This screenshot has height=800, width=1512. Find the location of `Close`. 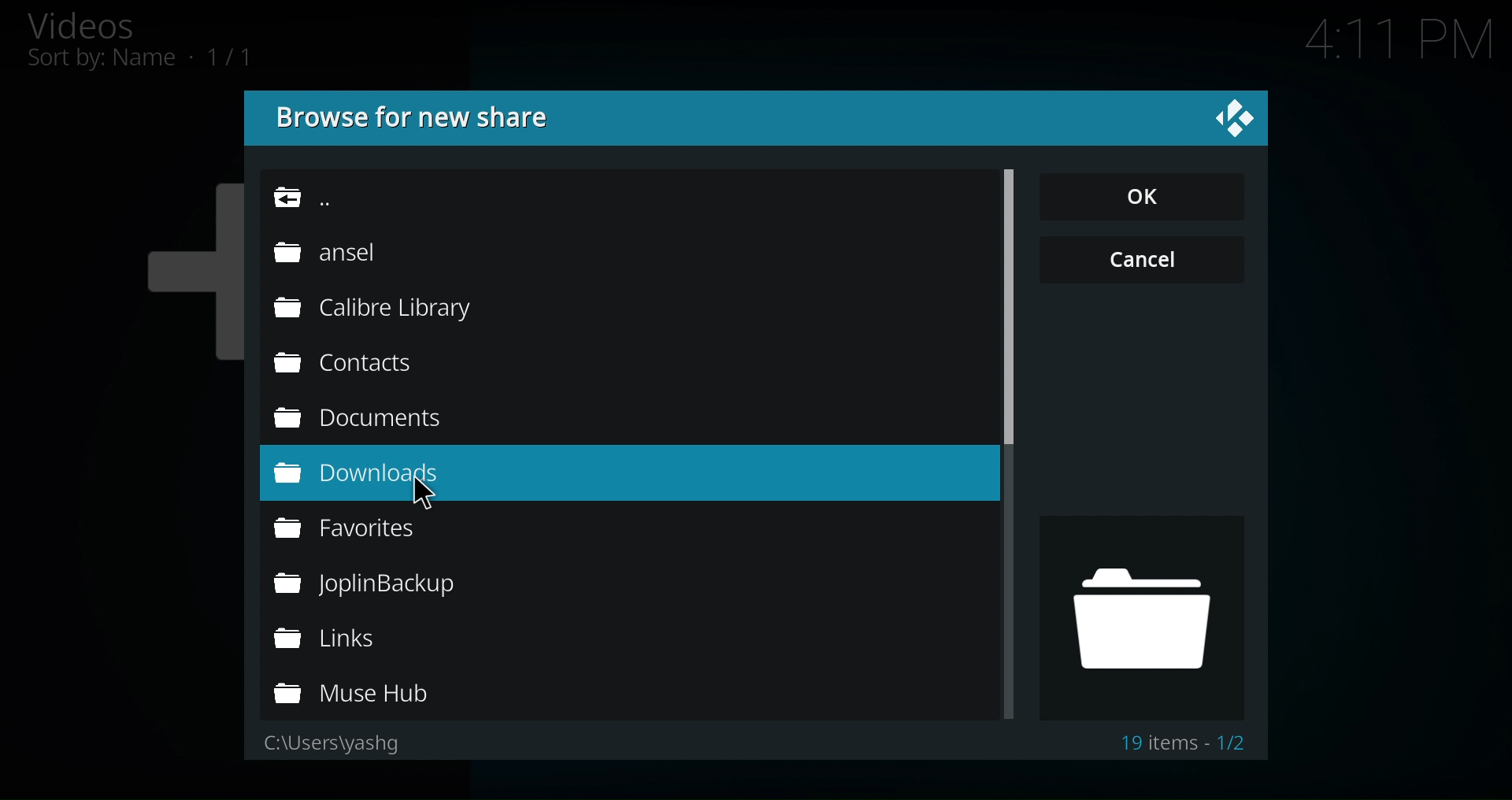

Close is located at coordinates (1232, 120).